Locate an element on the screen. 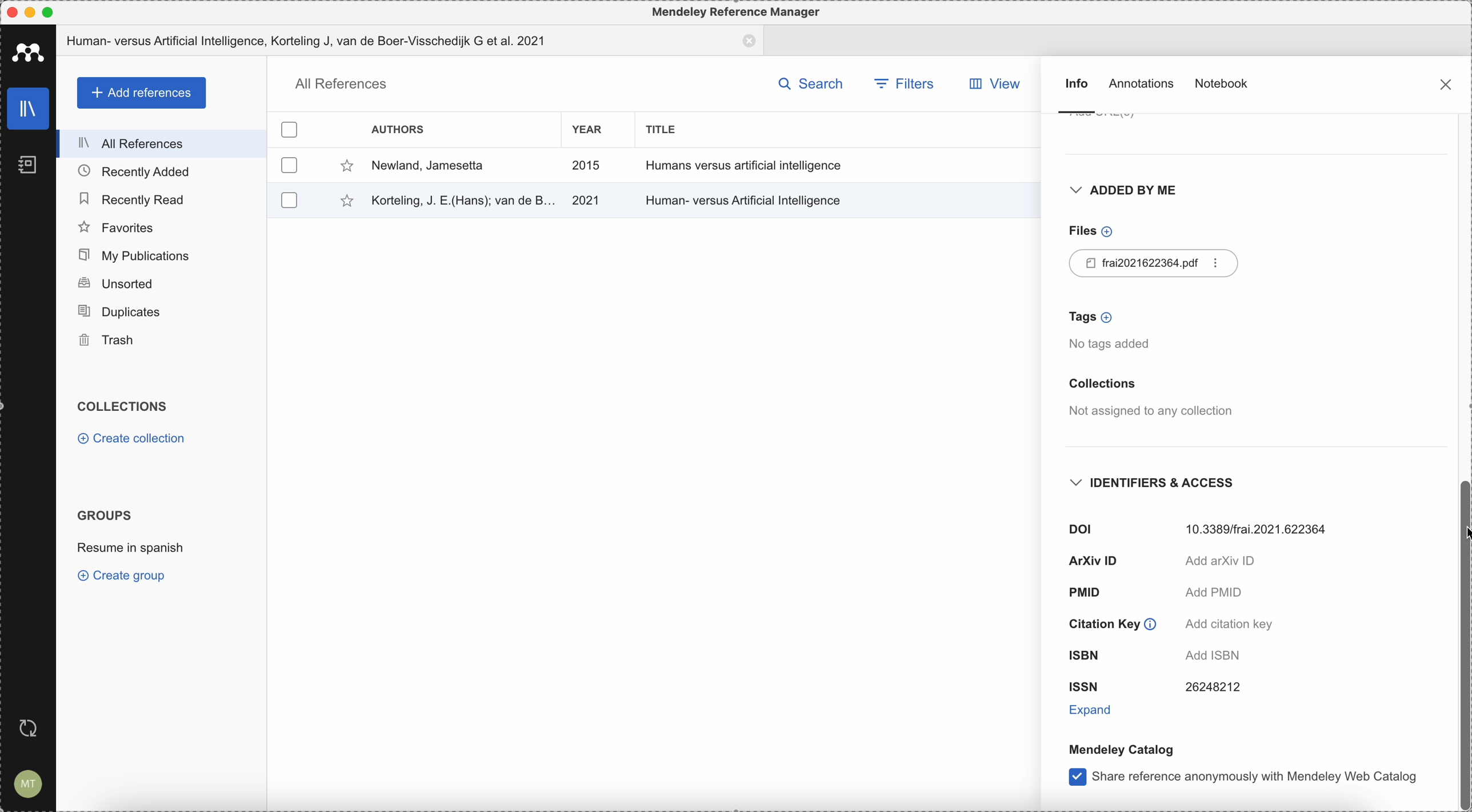 The width and height of the screenshot is (1472, 812). favorites is located at coordinates (162, 226).